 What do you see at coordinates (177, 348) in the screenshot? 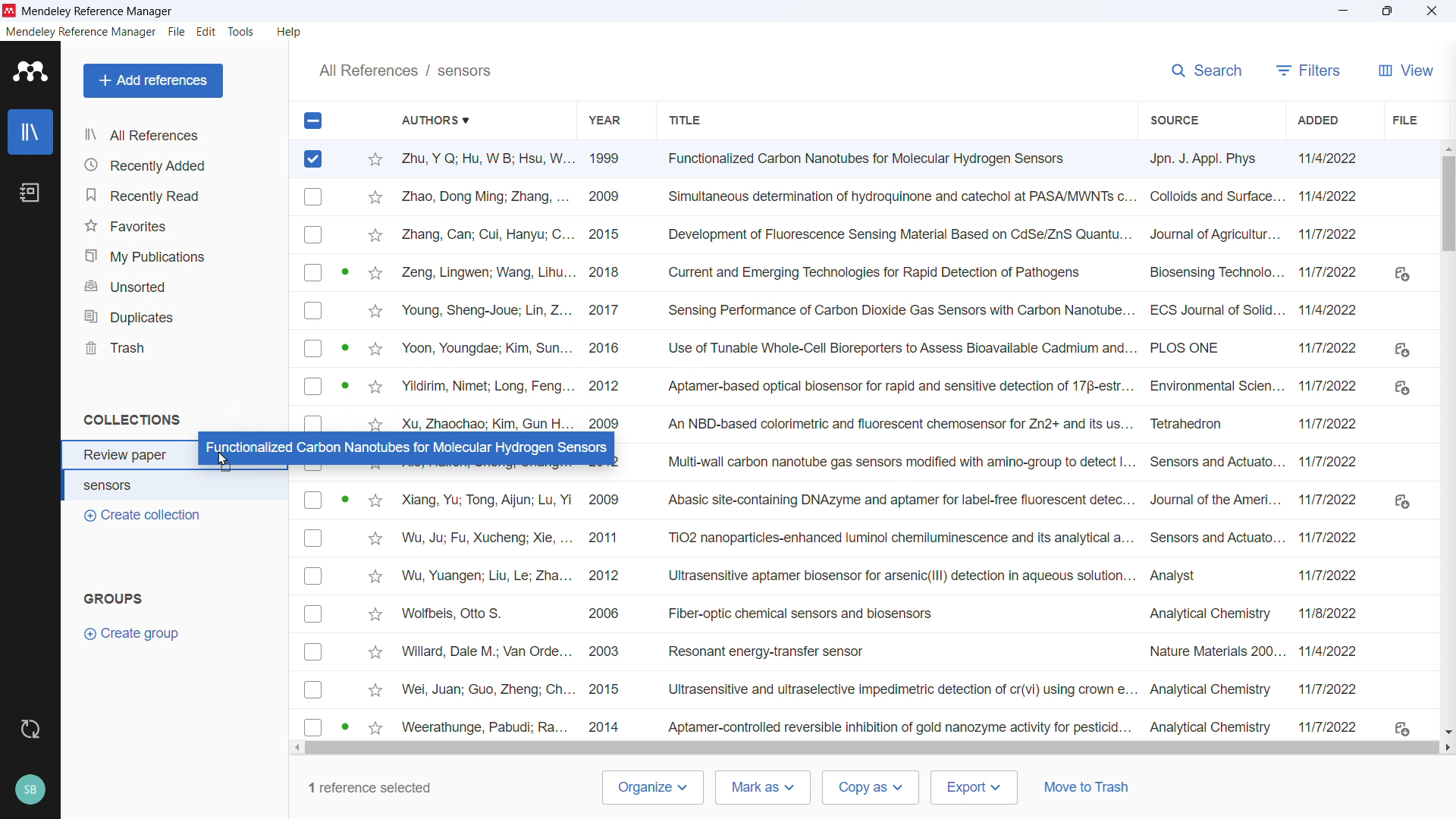
I see `trash ` at bounding box center [177, 348].